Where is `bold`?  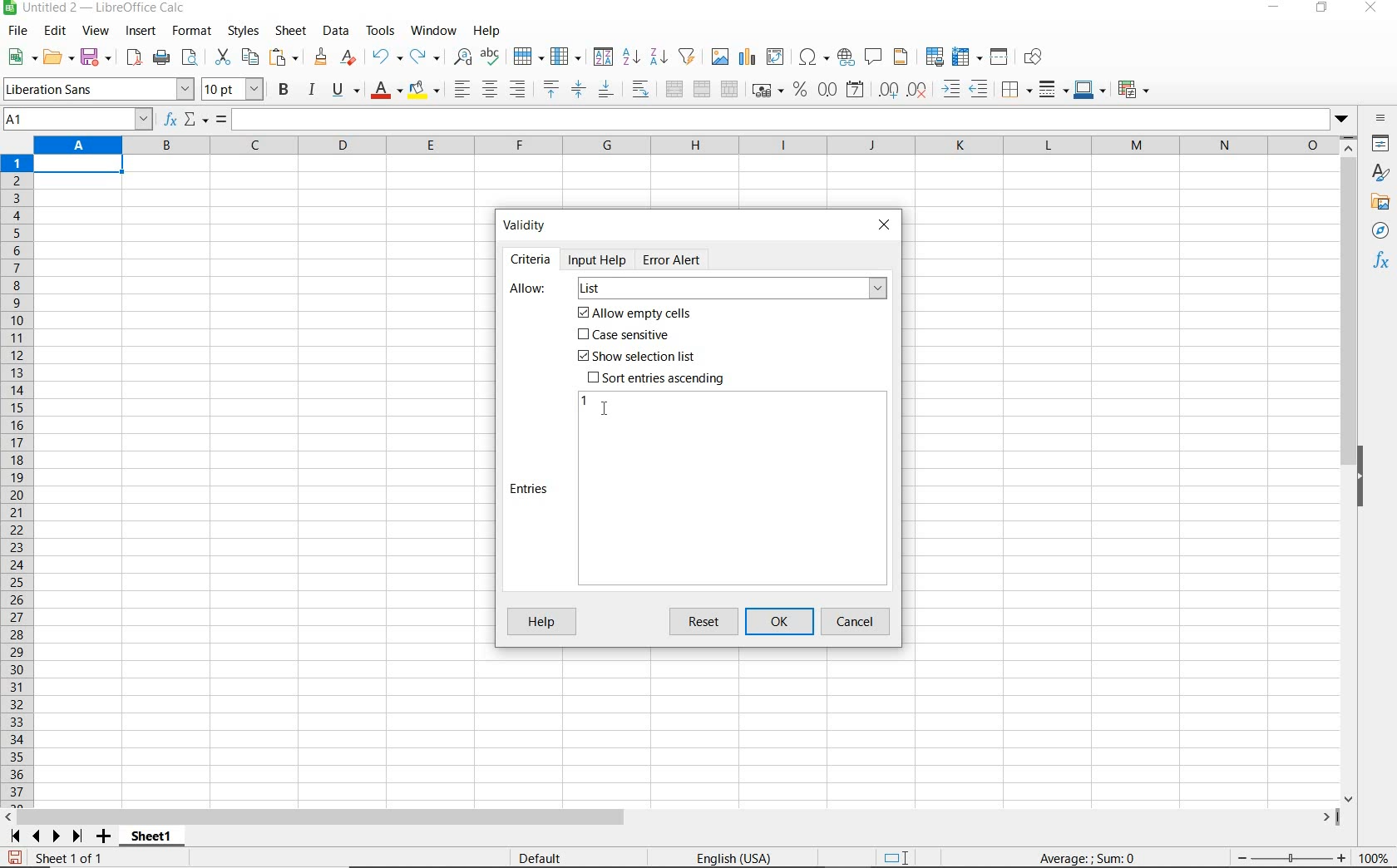 bold is located at coordinates (285, 89).